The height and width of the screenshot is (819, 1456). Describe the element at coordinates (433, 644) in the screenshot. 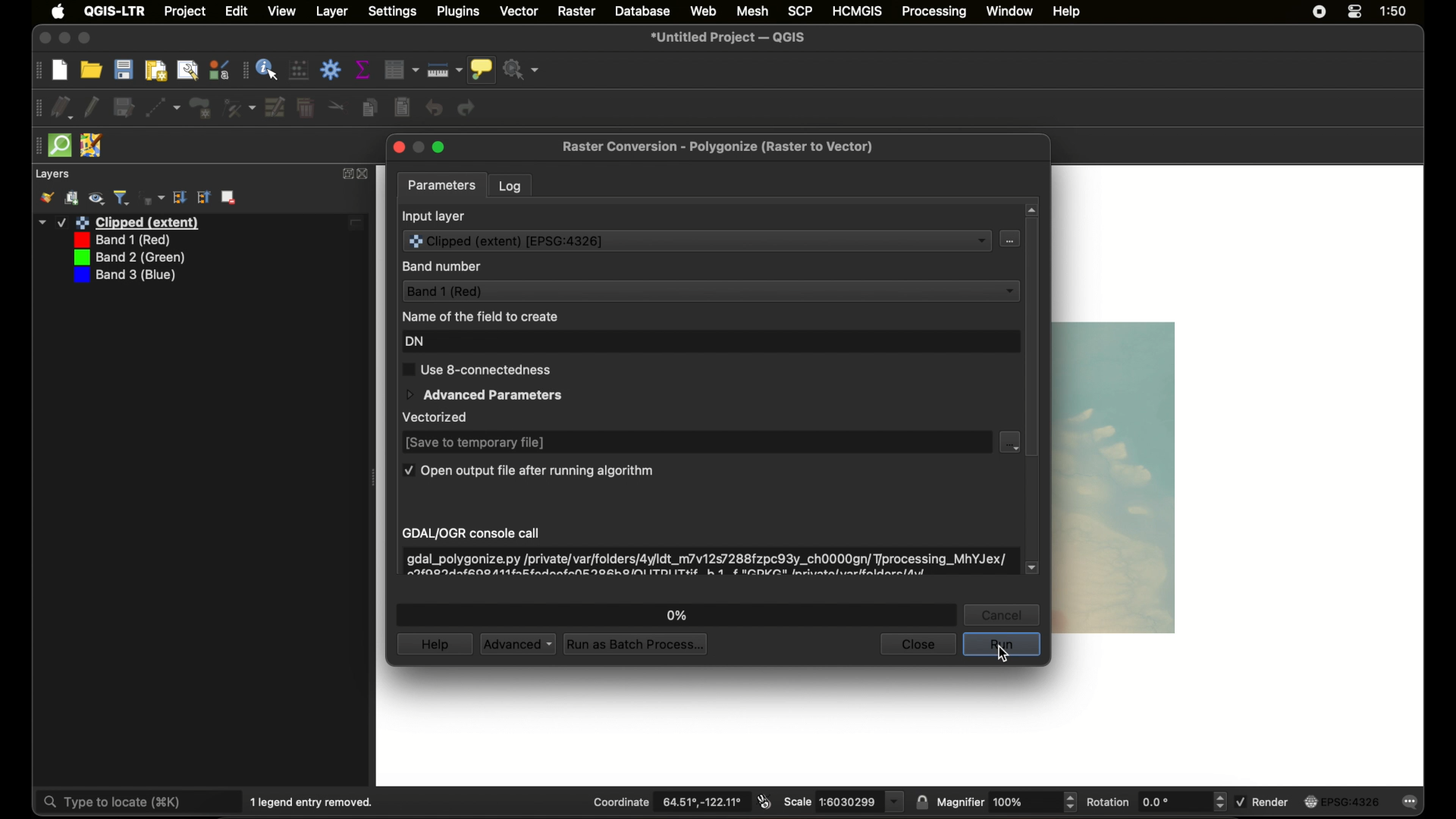

I see `help` at that location.